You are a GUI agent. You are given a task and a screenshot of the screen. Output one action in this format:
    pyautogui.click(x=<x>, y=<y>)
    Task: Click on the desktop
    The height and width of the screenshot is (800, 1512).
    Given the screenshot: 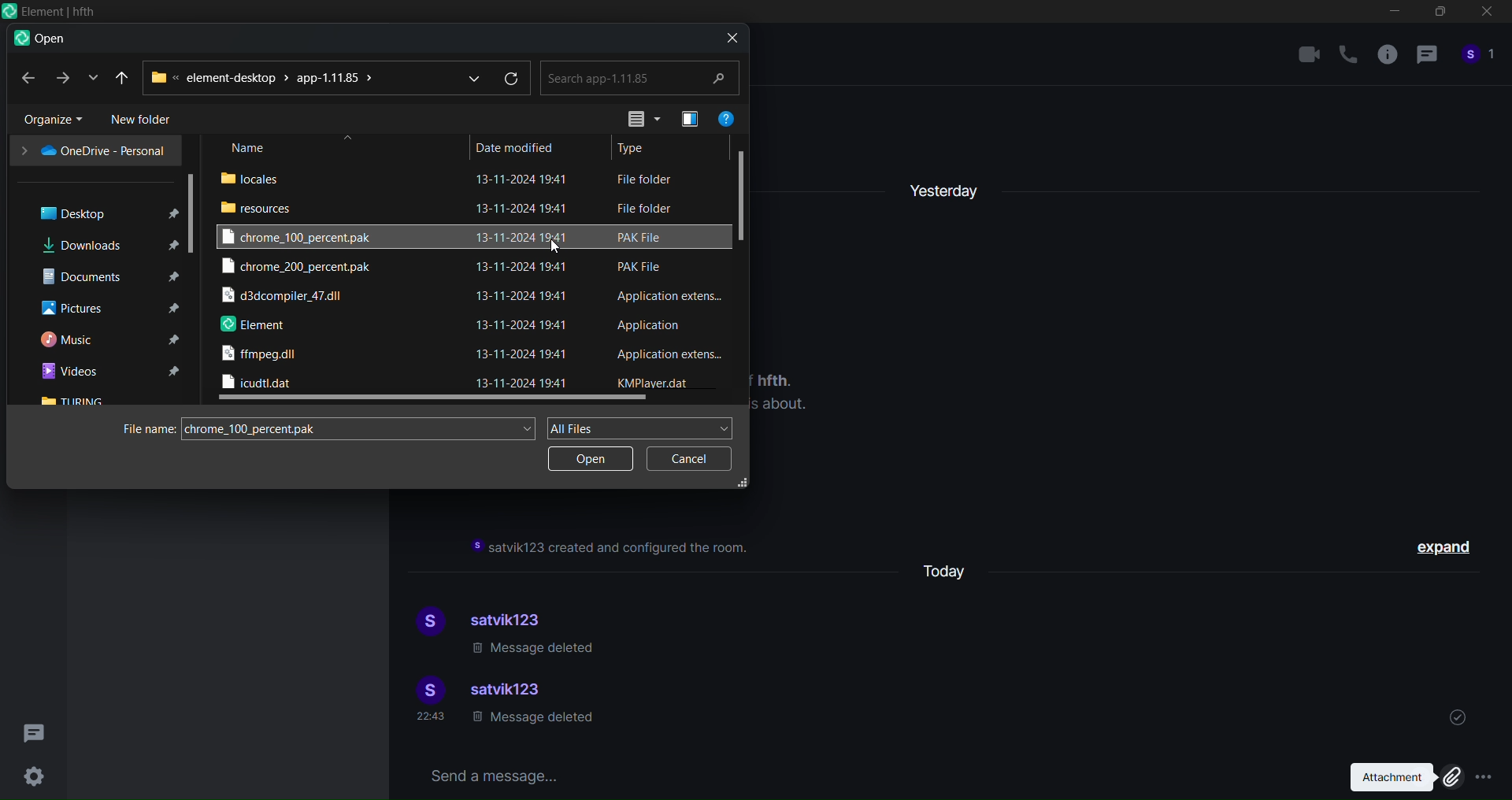 What is the action you would take?
    pyautogui.click(x=100, y=212)
    